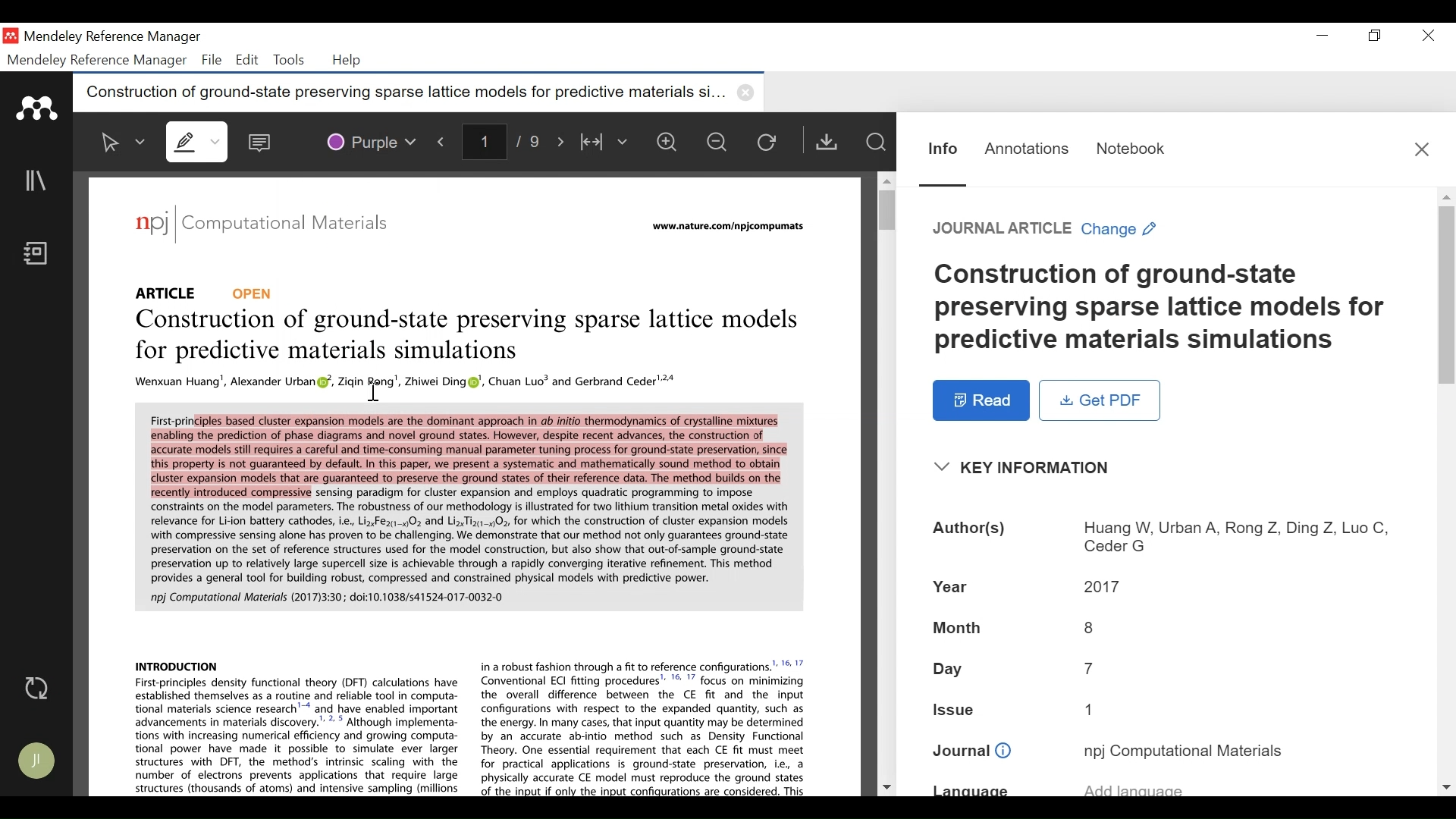 Image resolution: width=1456 pixels, height=819 pixels. Describe the element at coordinates (972, 753) in the screenshot. I see `Journal: ` at that location.